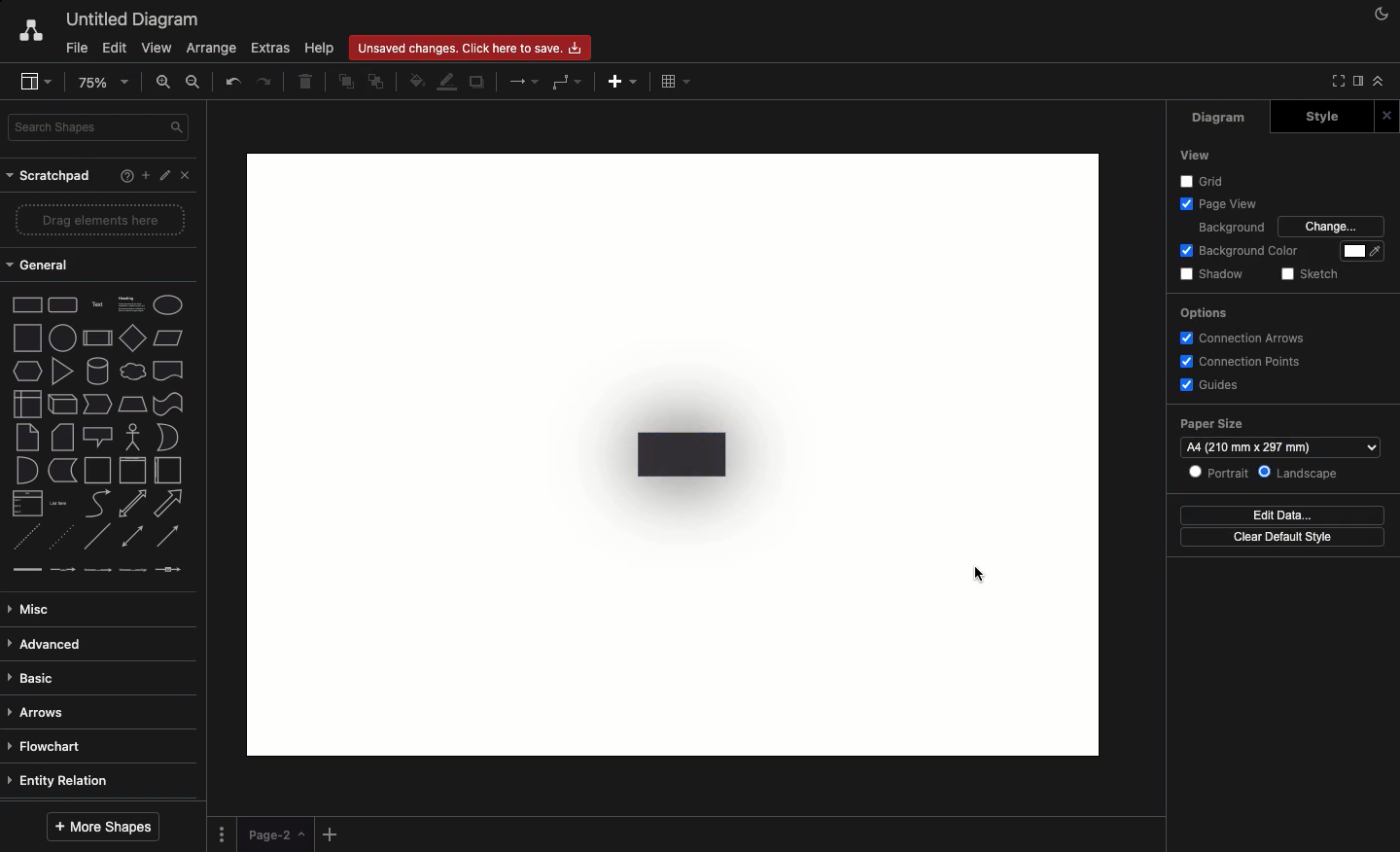  I want to click on Add, so click(625, 83).